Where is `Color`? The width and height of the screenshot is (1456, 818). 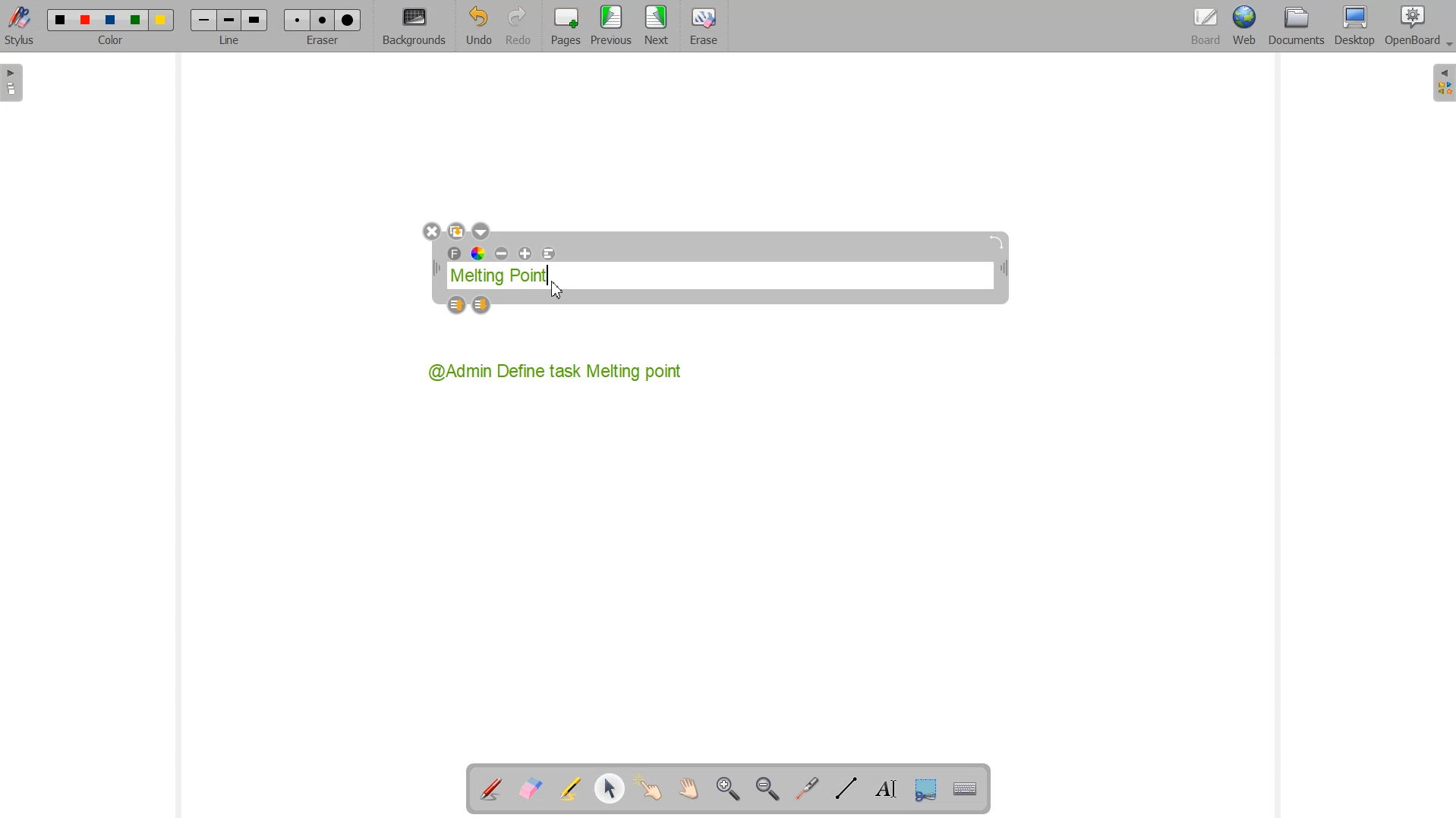 Color is located at coordinates (113, 27).